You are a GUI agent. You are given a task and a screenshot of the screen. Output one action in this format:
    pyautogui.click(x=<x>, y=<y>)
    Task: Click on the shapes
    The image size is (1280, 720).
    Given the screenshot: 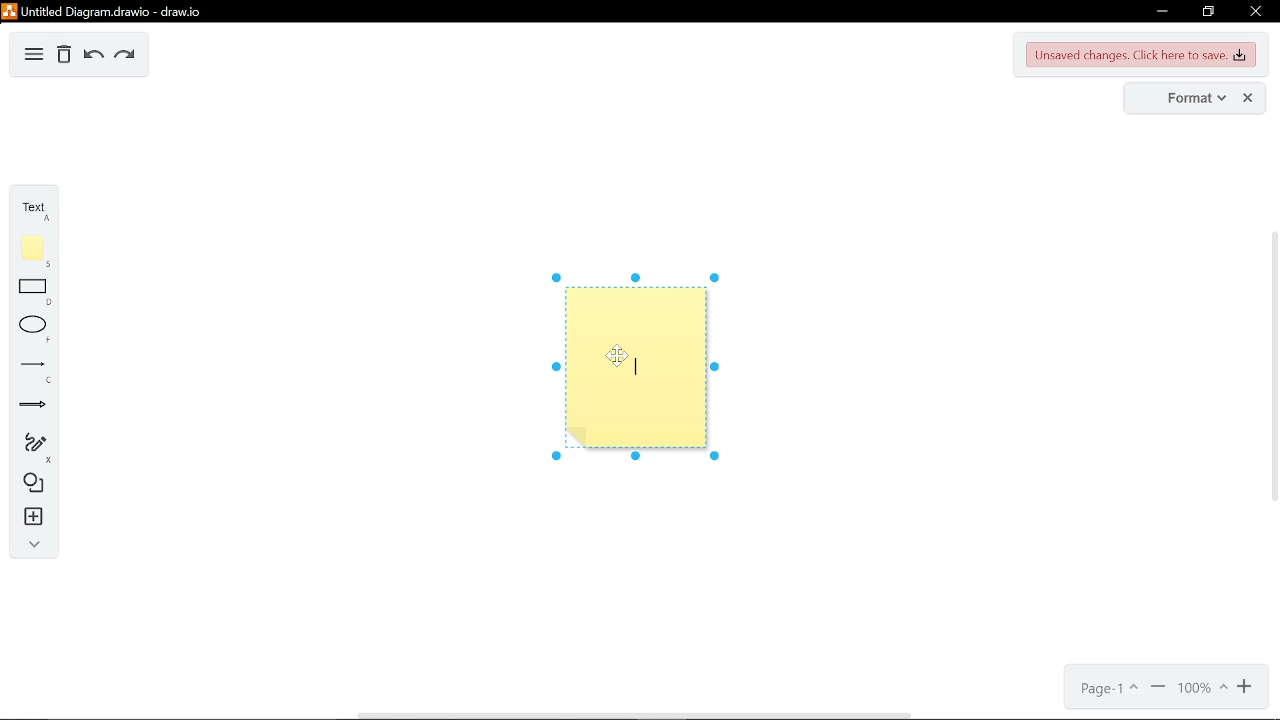 What is the action you would take?
    pyautogui.click(x=30, y=485)
    